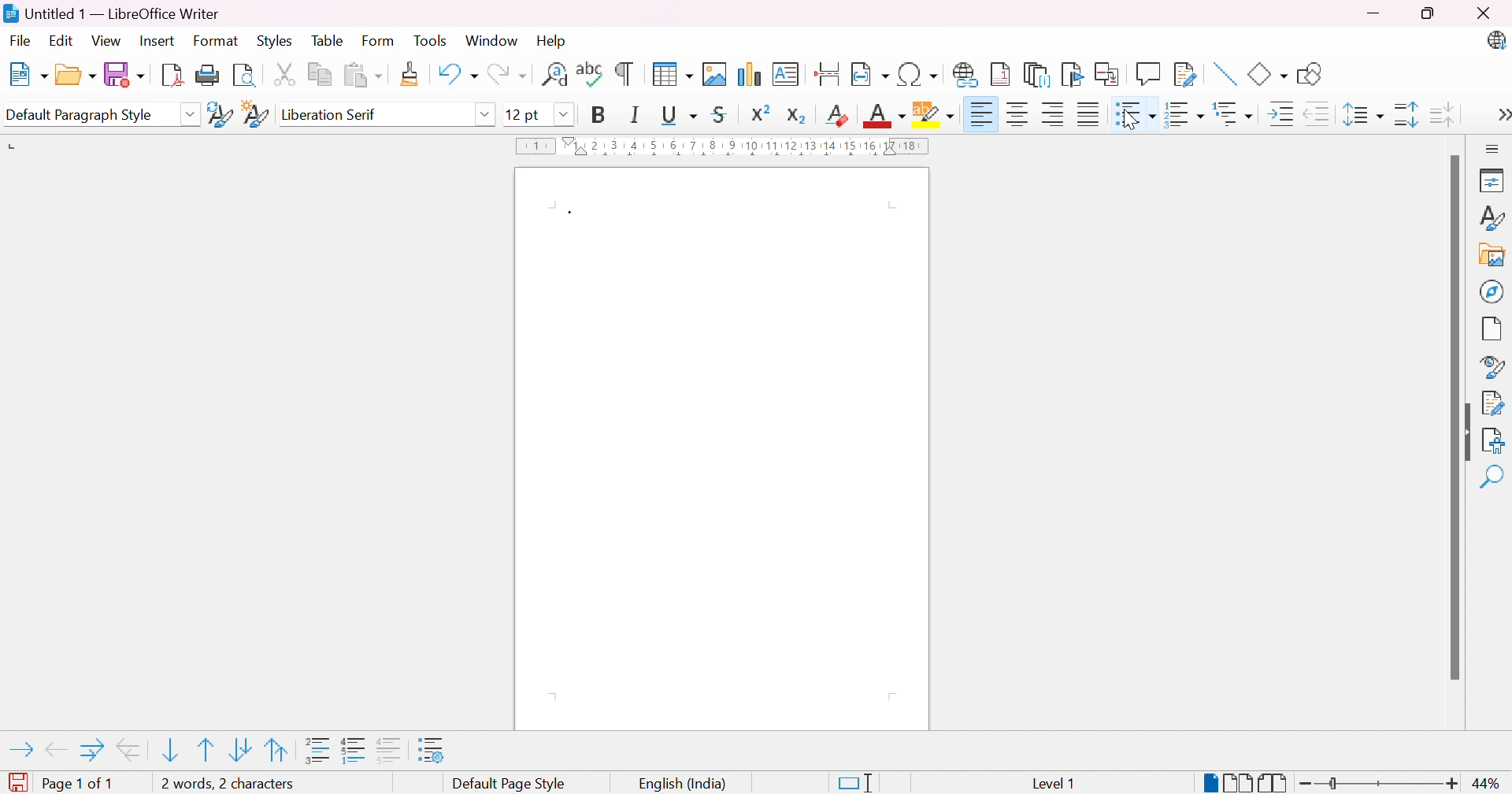 This screenshot has height=794, width=1512. Describe the element at coordinates (1054, 114) in the screenshot. I see `Align left` at that location.